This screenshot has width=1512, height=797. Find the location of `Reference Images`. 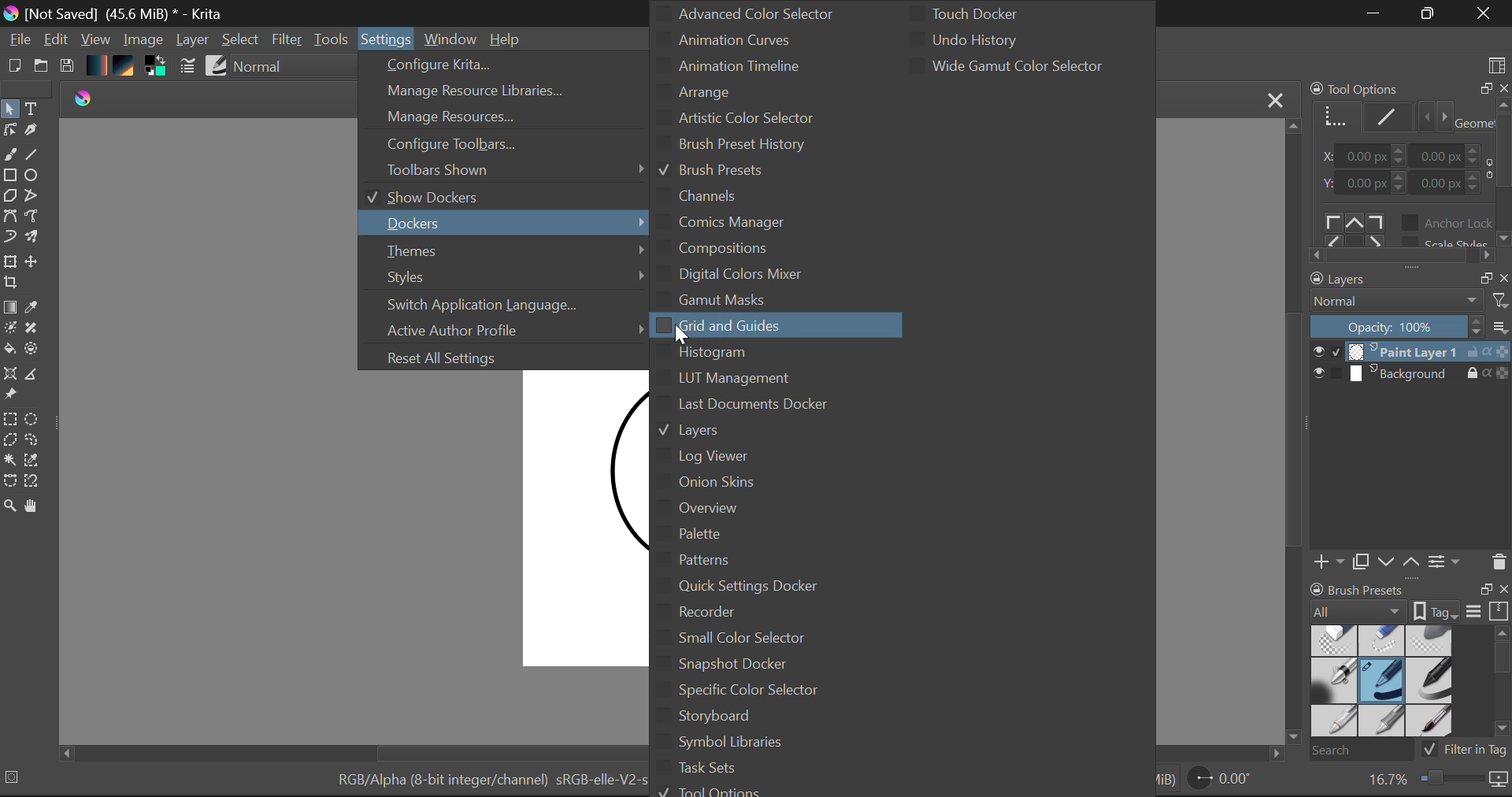

Reference Images is located at coordinates (10, 395).